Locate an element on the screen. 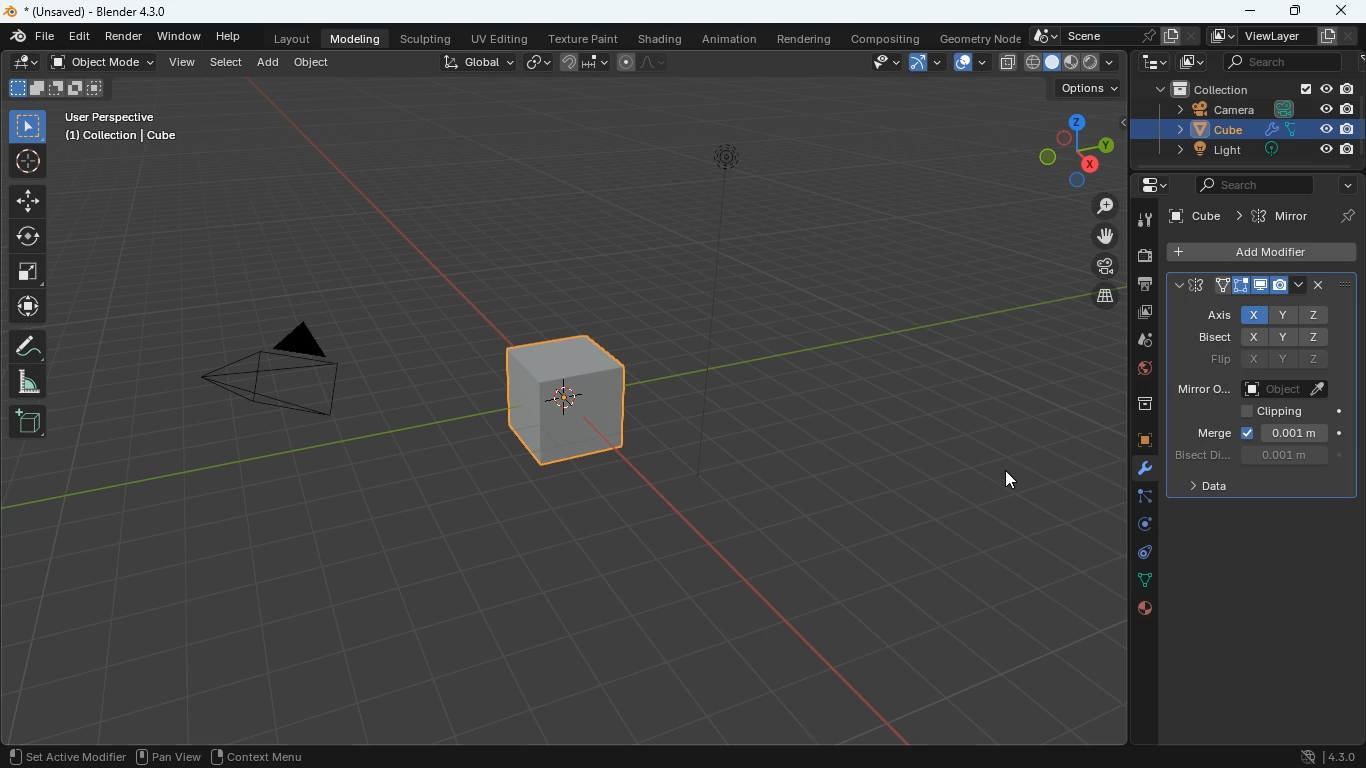 This screenshot has height=768, width=1366. help is located at coordinates (227, 38).